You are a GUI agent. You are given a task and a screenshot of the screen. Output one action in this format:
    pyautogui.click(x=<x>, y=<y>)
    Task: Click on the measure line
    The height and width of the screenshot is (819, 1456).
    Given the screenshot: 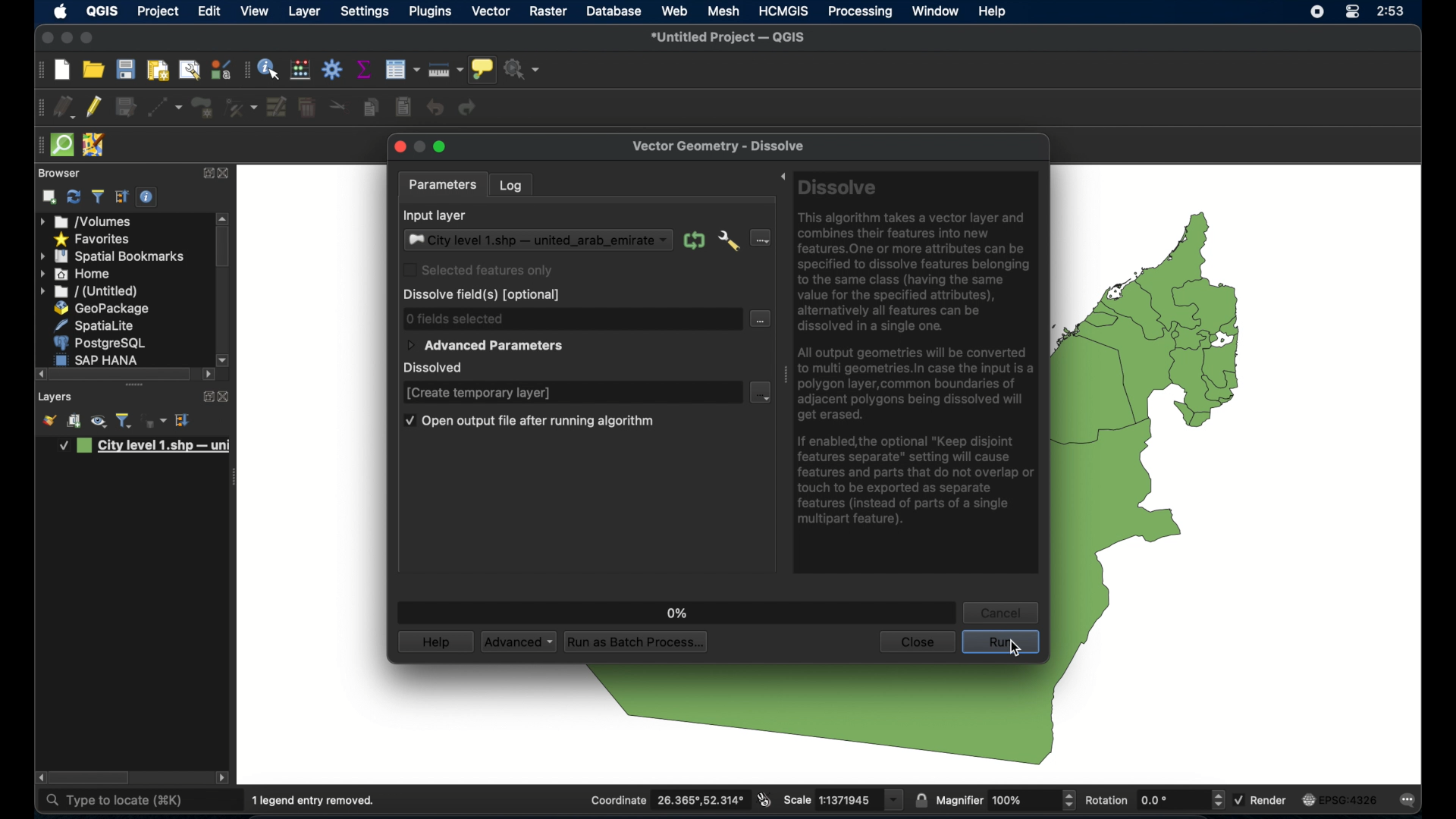 What is the action you would take?
    pyautogui.click(x=447, y=69)
    